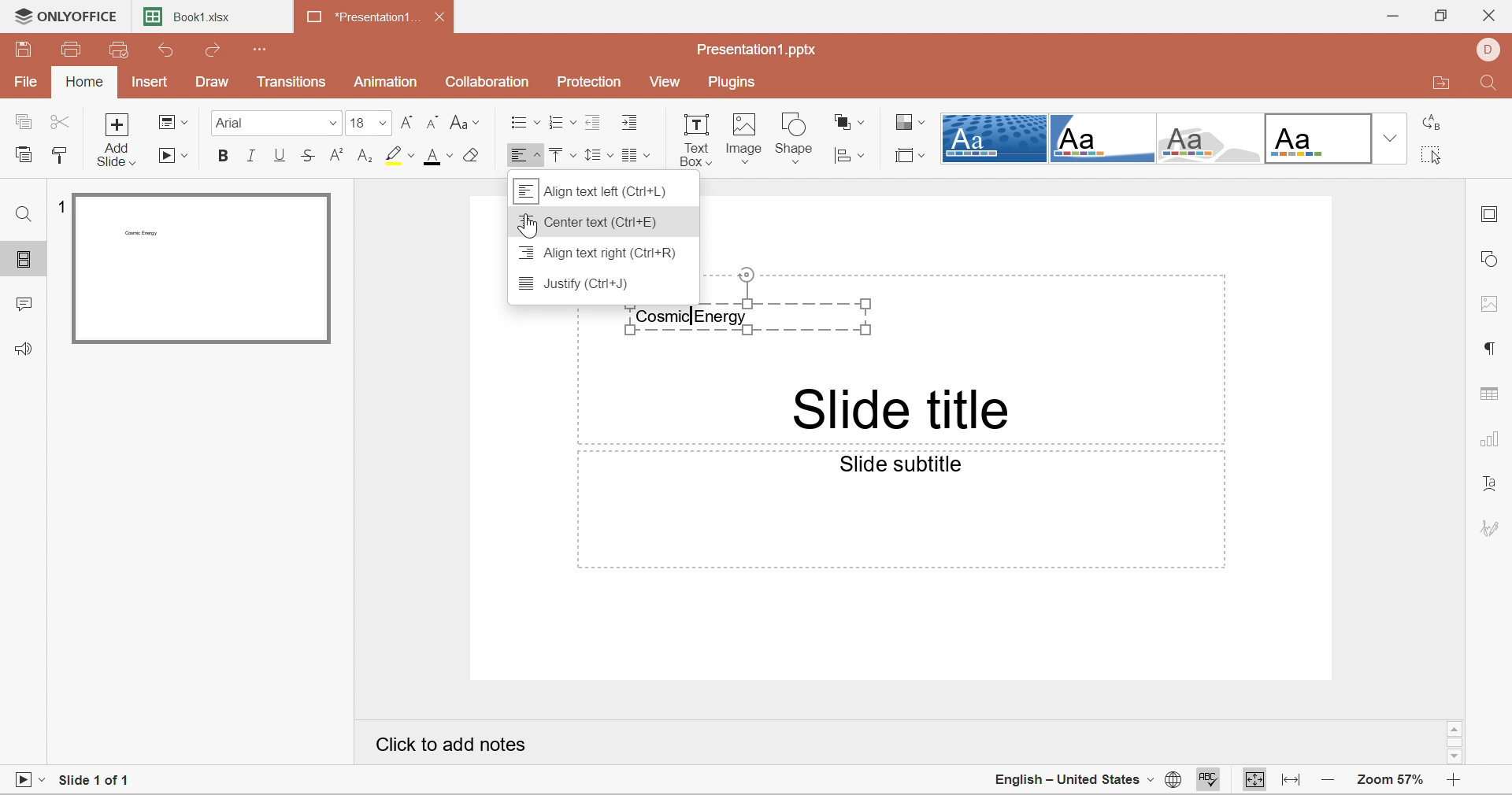 The width and height of the screenshot is (1512, 795). Describe the element at coordinates (24, 49) in the screenshot. I see `Save` at that location.